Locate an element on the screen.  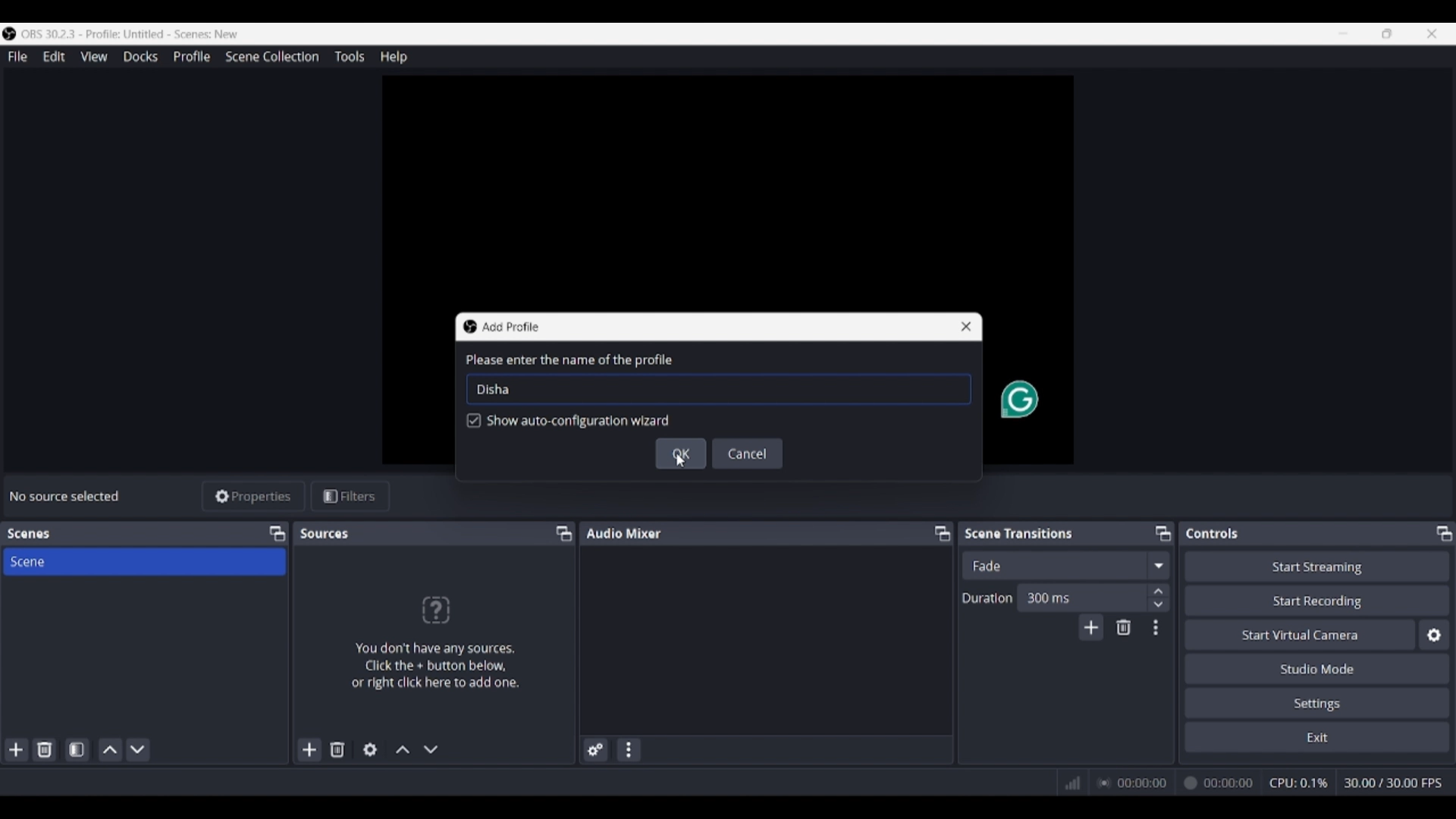
Window title is located at coordinates (510, 327).